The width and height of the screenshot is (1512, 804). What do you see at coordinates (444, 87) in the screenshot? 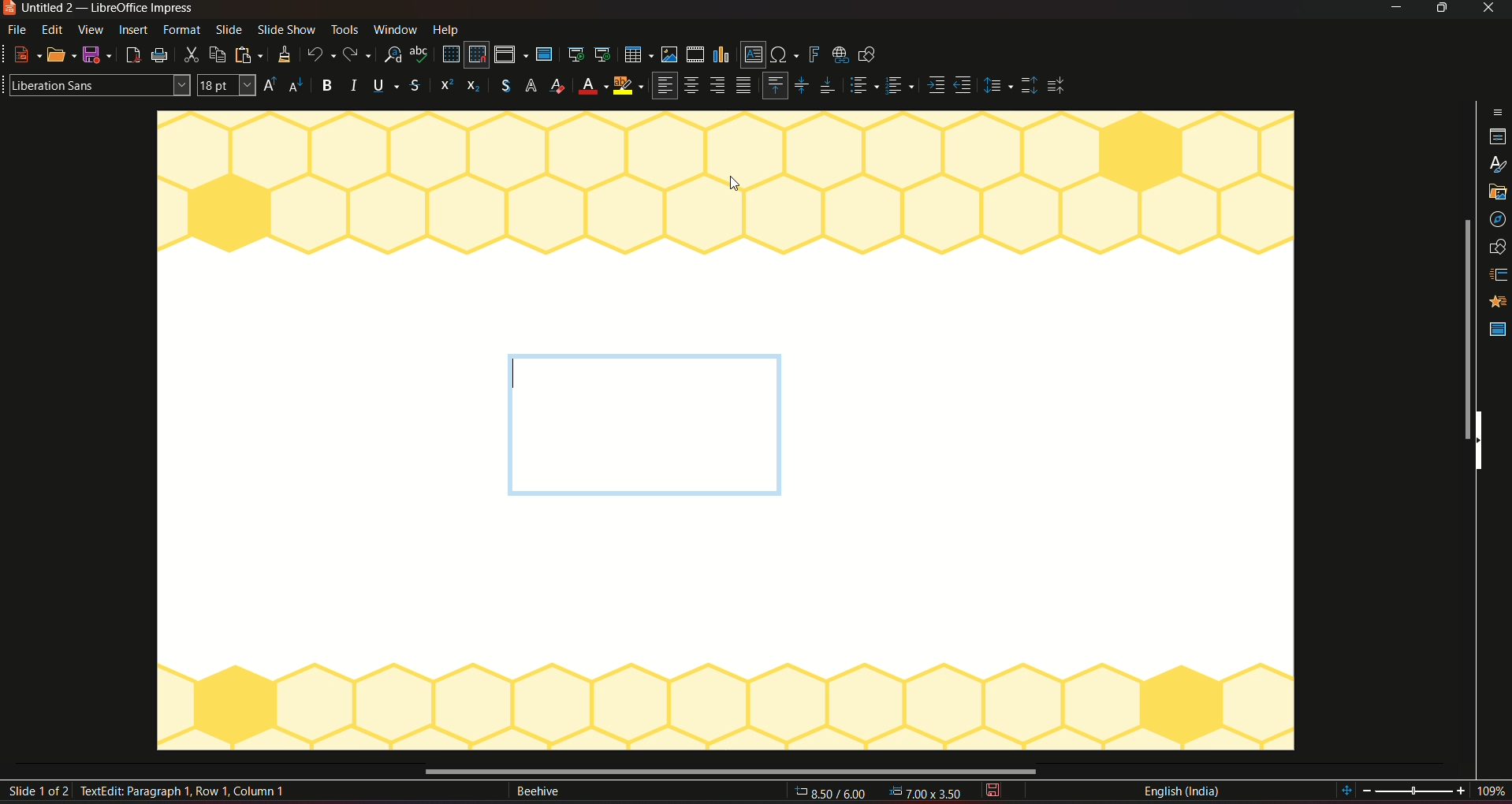
I see `icon` at bounding box center [444, 87].